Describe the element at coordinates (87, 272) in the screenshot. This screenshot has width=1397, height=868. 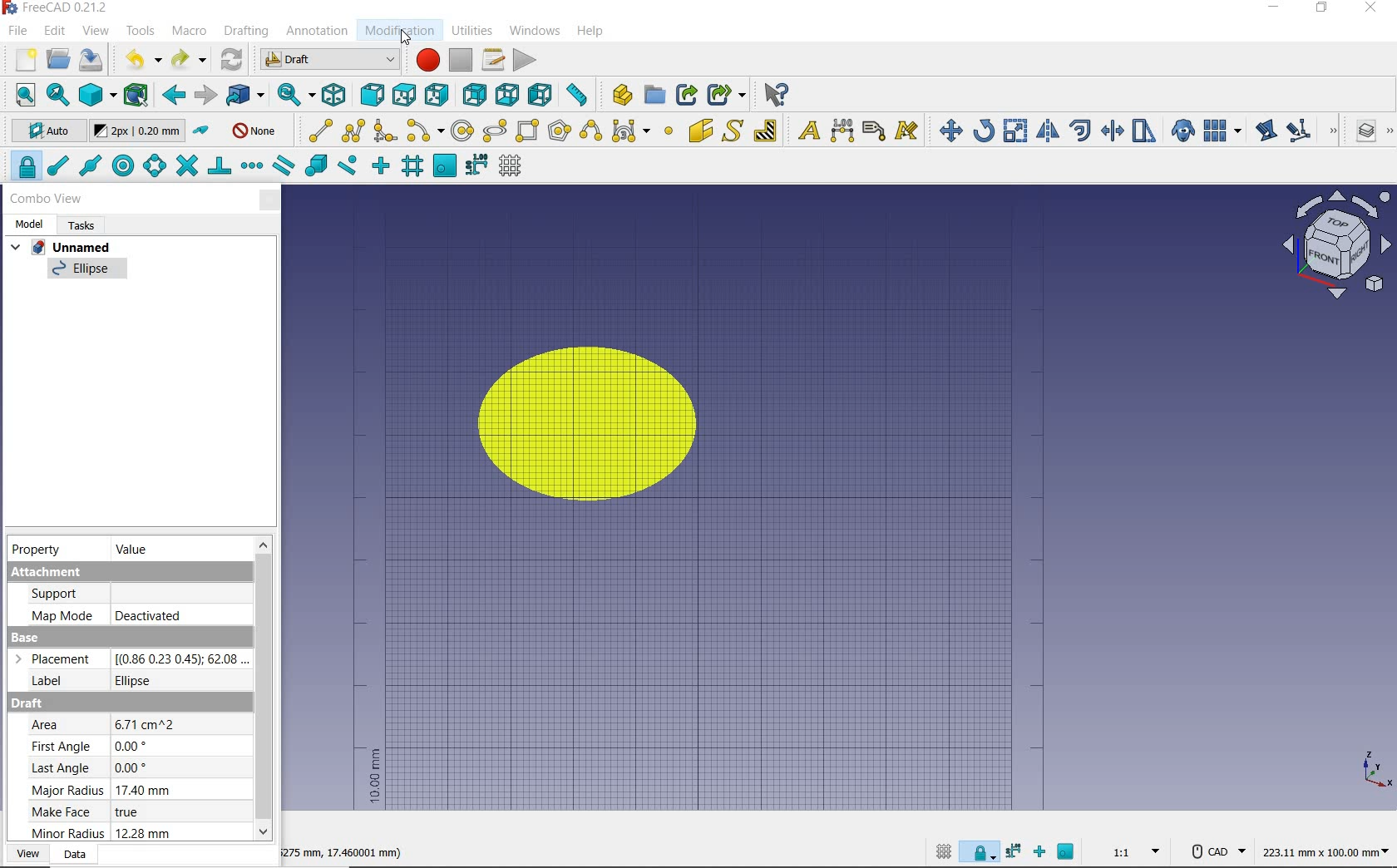
I see `ellipse` at that location.